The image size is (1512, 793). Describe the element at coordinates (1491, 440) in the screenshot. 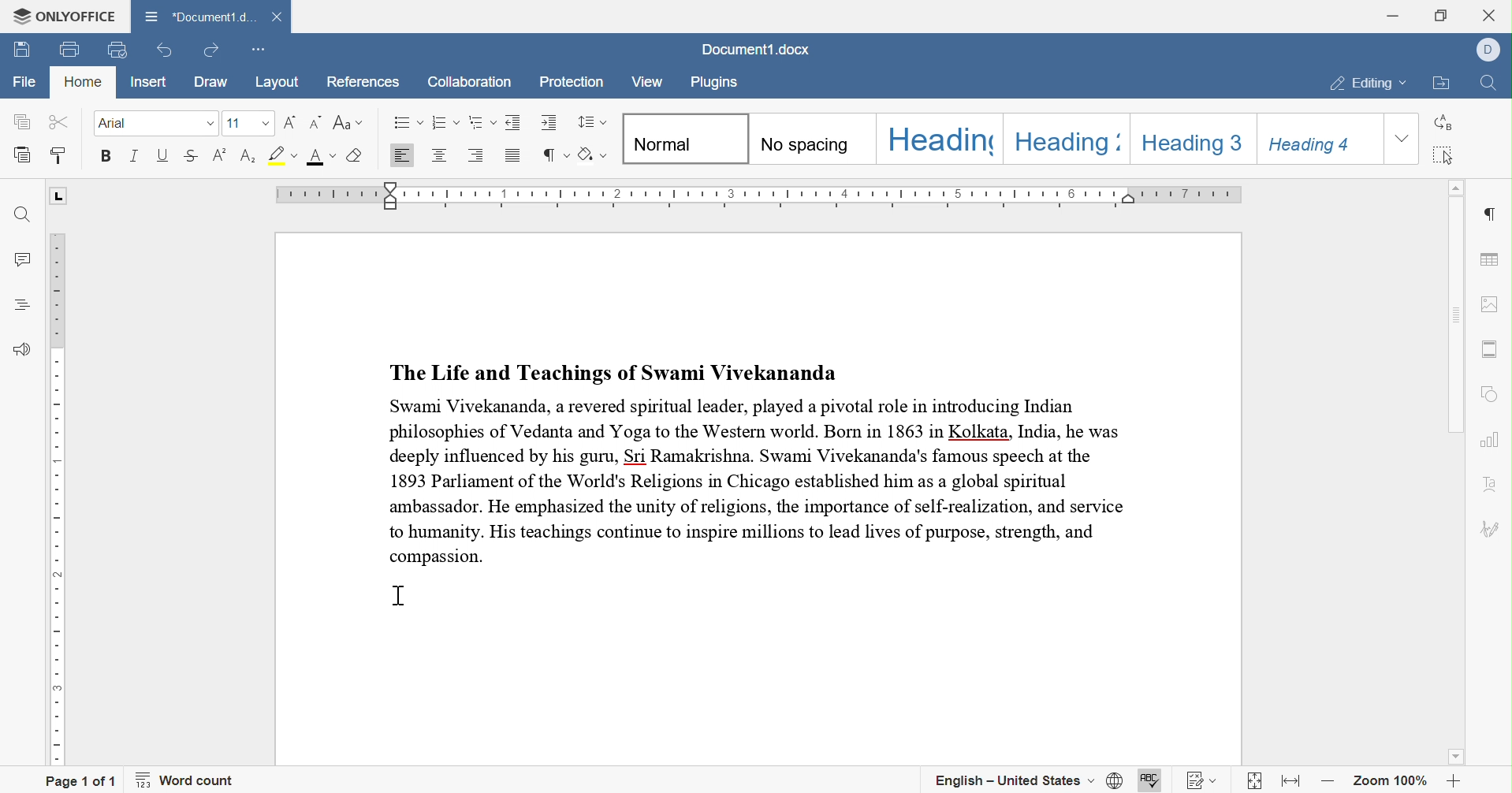

I see `chart settings` at that location.